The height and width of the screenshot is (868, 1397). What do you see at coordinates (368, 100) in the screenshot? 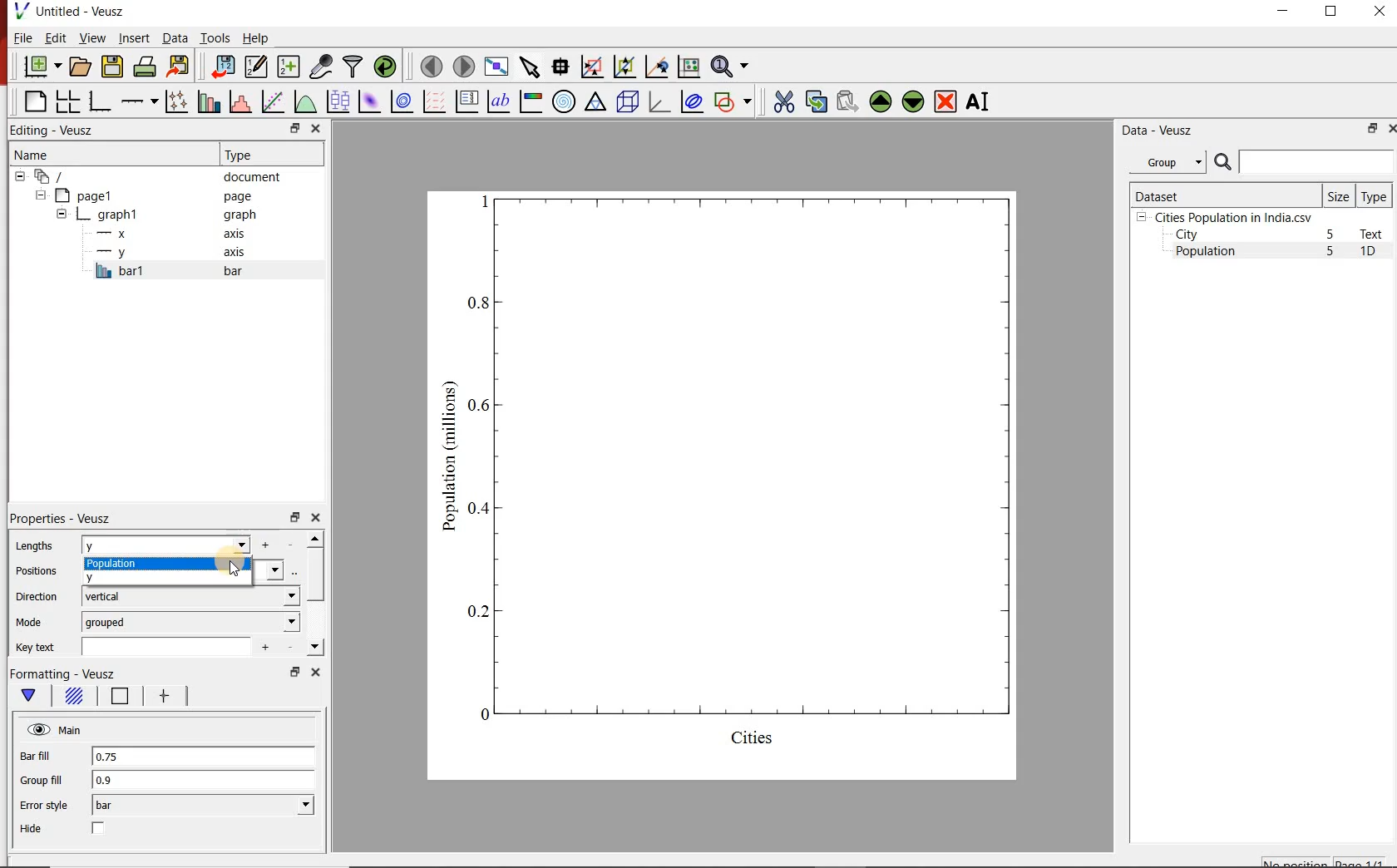
I see `plot a 2d dataset as an image` at bounding box center [368, 100].